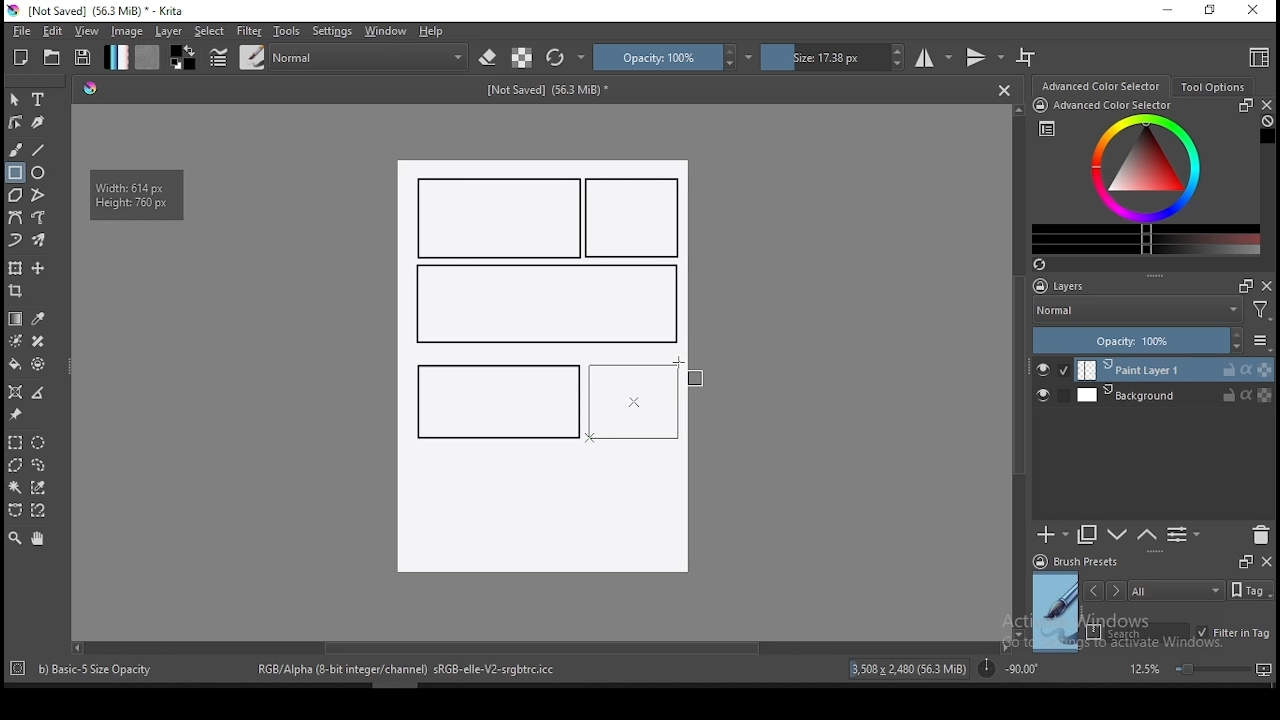 The width and height of the screenshot is (1280, 720). I want to click on elliptical selection tool, so click(38, 443).